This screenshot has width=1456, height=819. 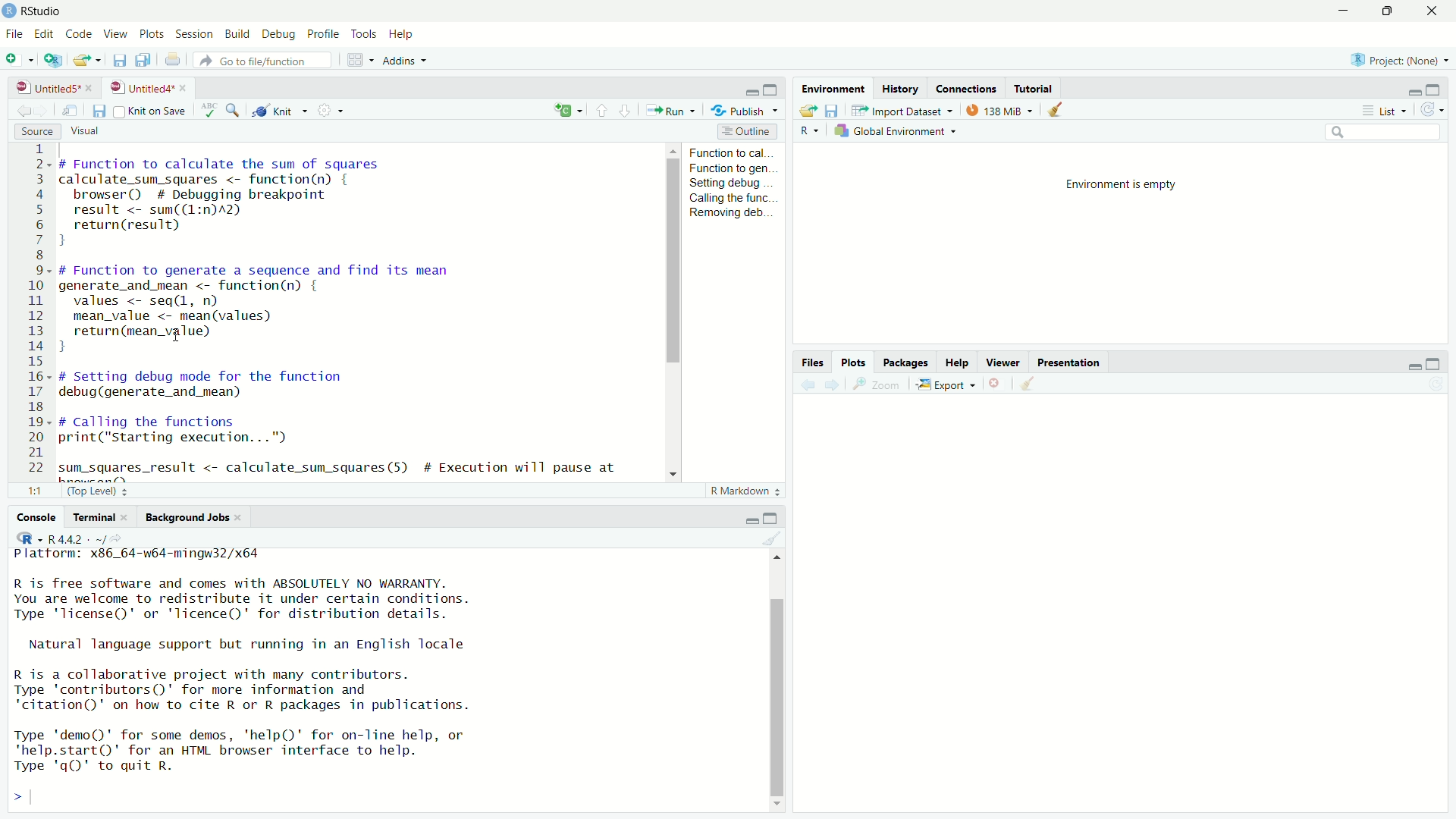 I want to click on untitled5, so click(x=42, y=86).